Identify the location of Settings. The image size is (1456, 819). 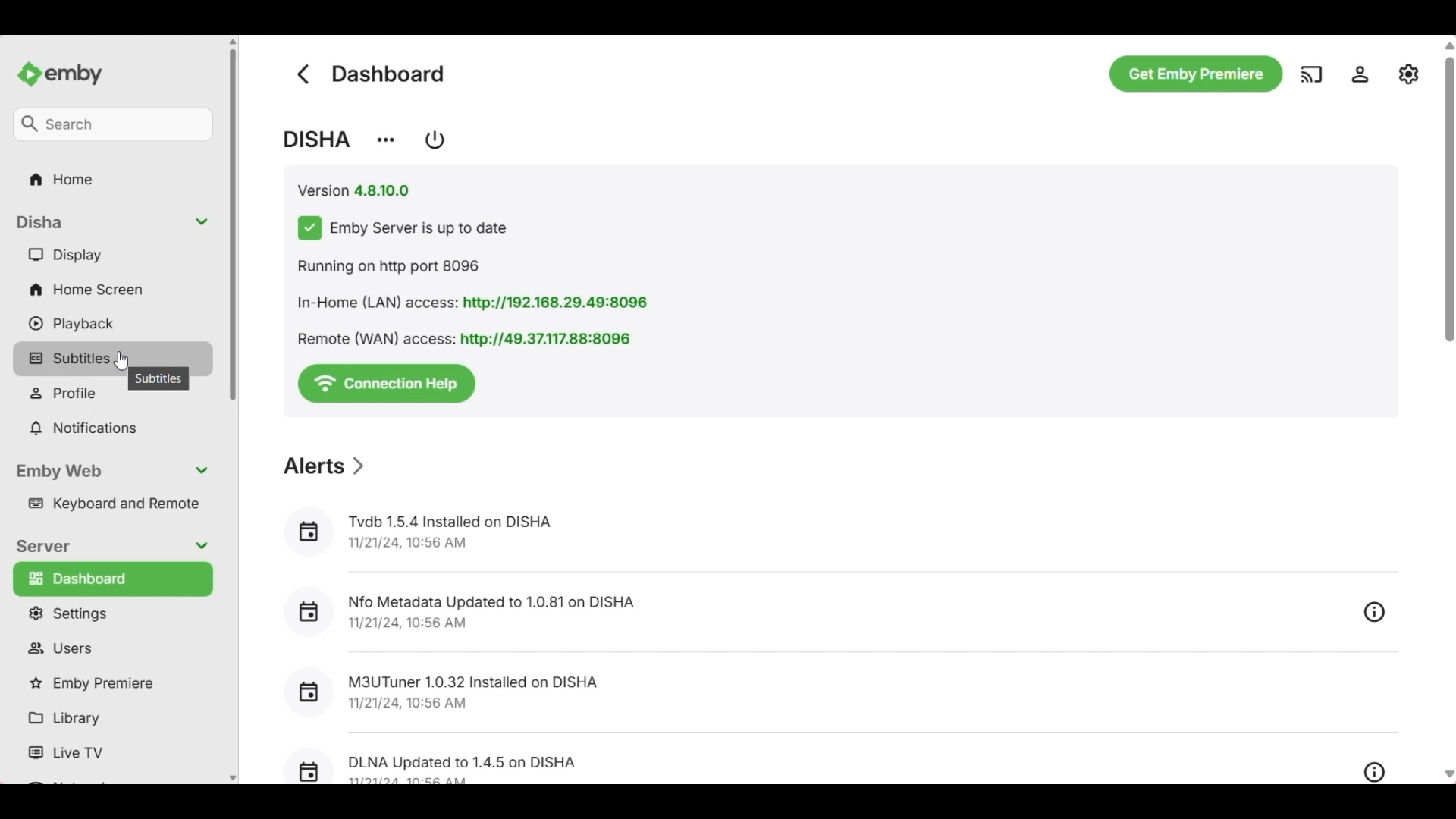
(116, 613).